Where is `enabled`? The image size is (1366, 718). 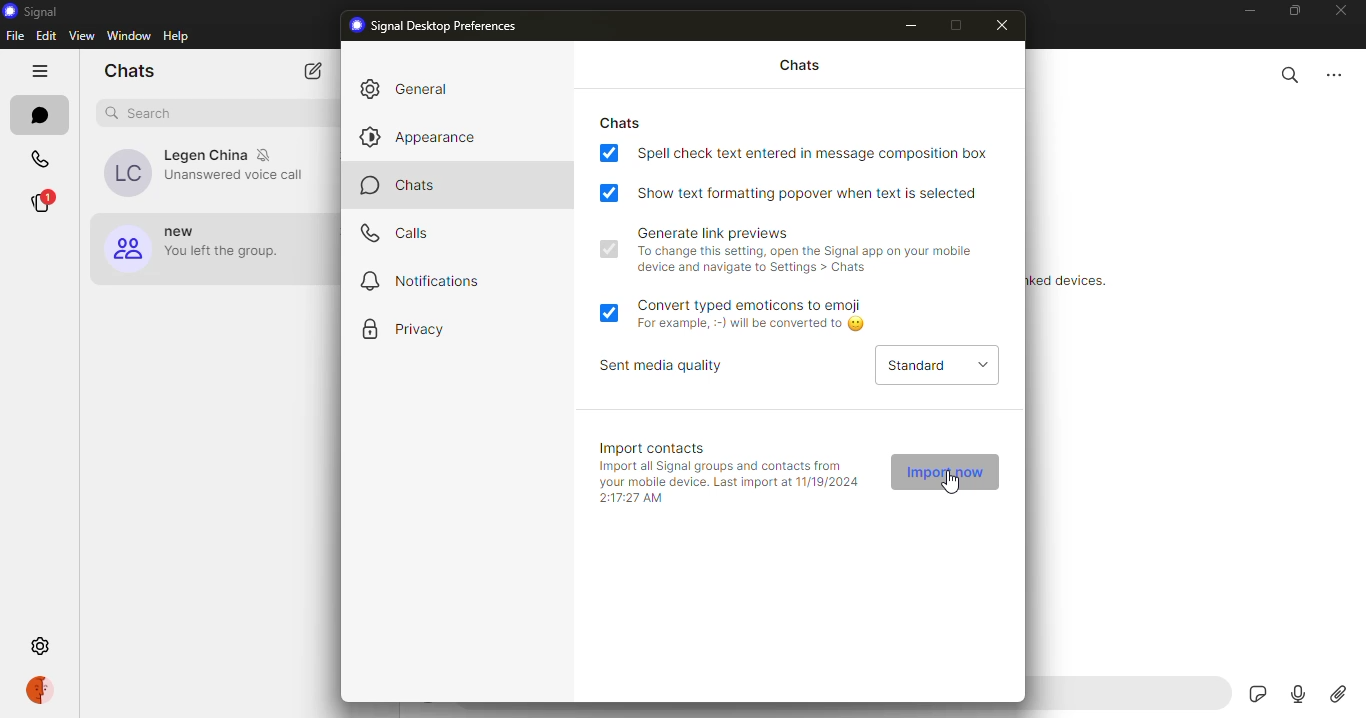
enabled is located at coordinates (608, 194).